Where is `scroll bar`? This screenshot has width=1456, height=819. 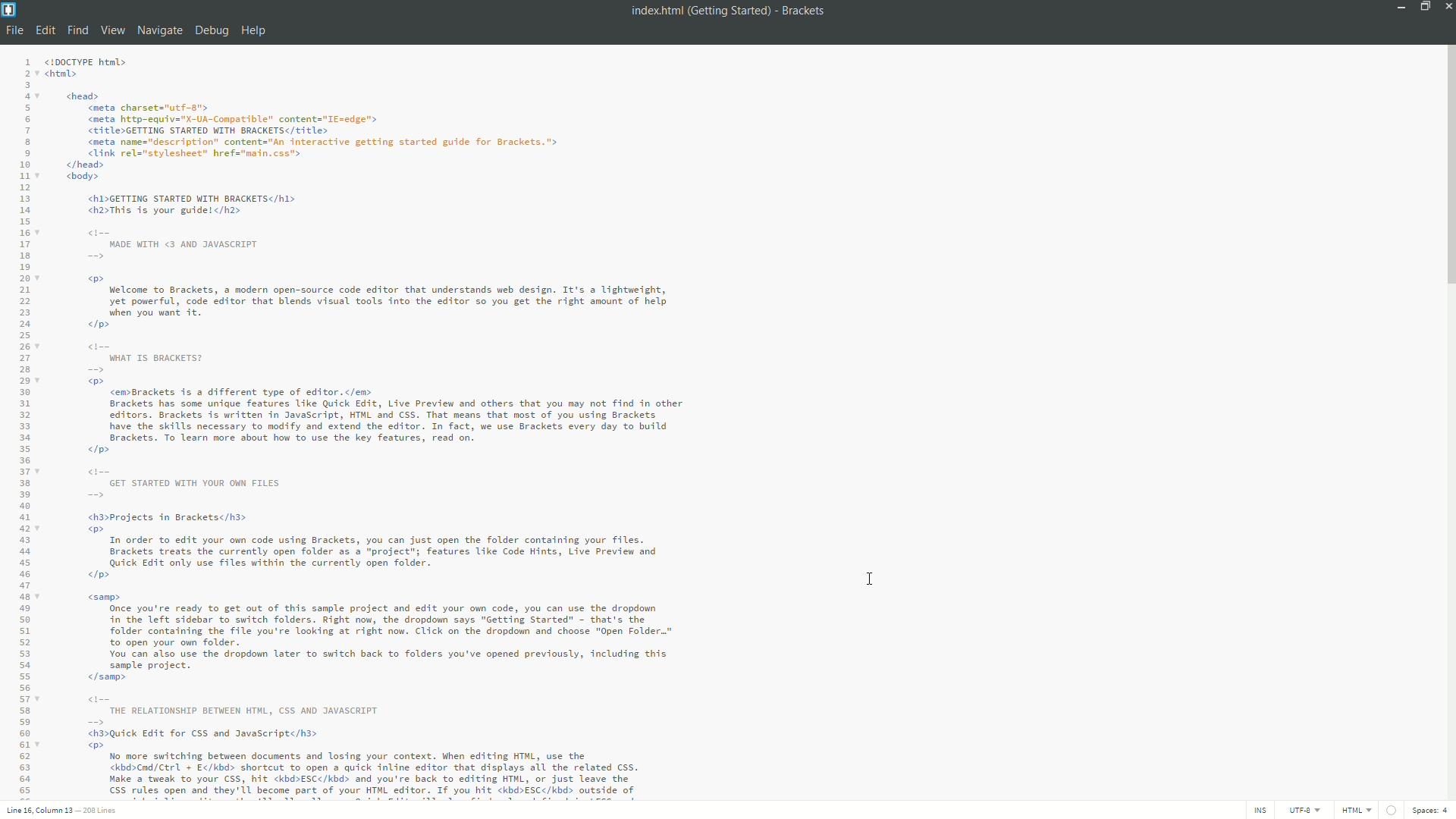
scroll bar is located at coordinates (1447, 168).